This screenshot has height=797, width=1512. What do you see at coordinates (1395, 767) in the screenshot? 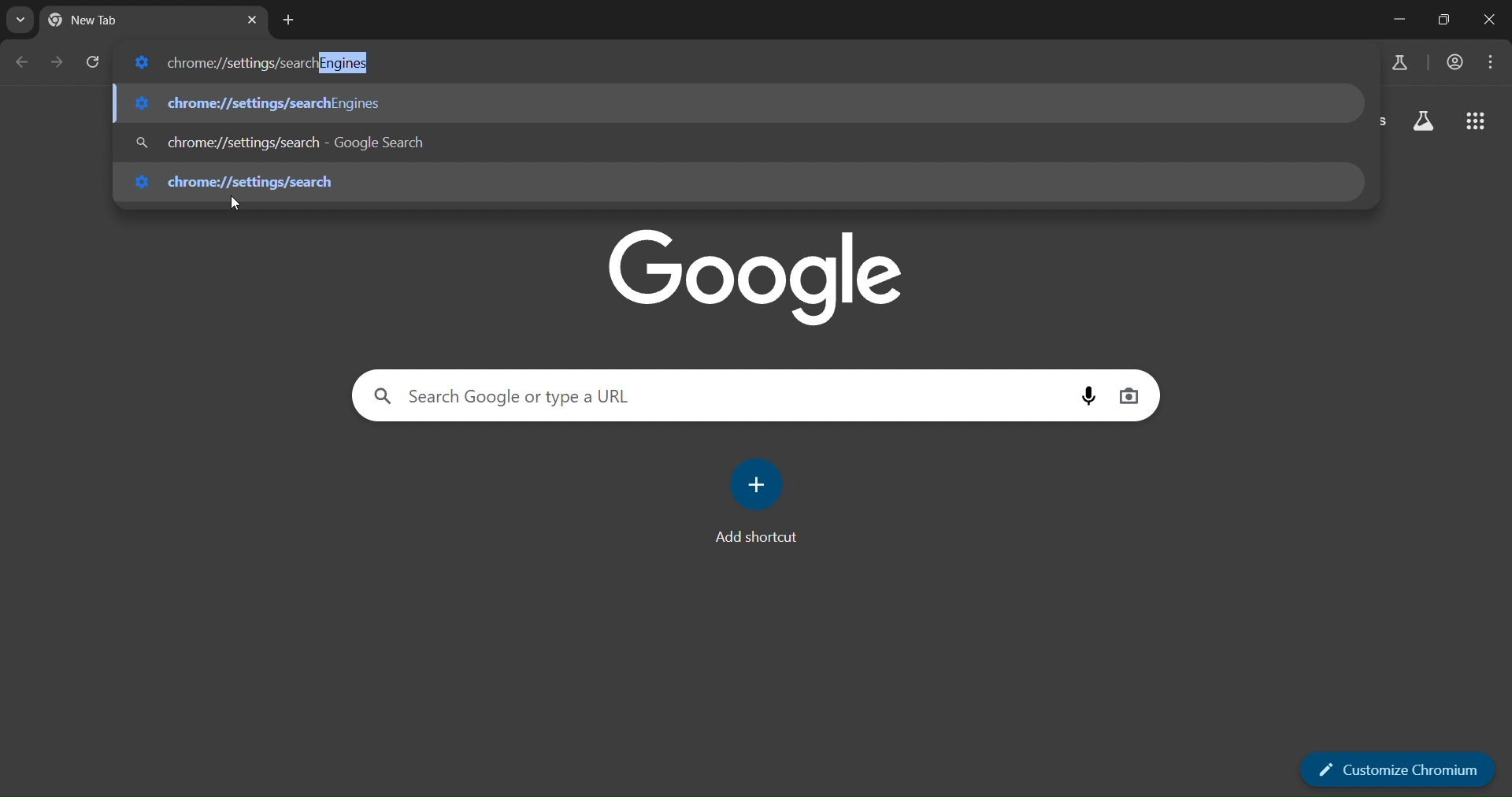
I see `customize chromium` at bounding box center [1395, 767].